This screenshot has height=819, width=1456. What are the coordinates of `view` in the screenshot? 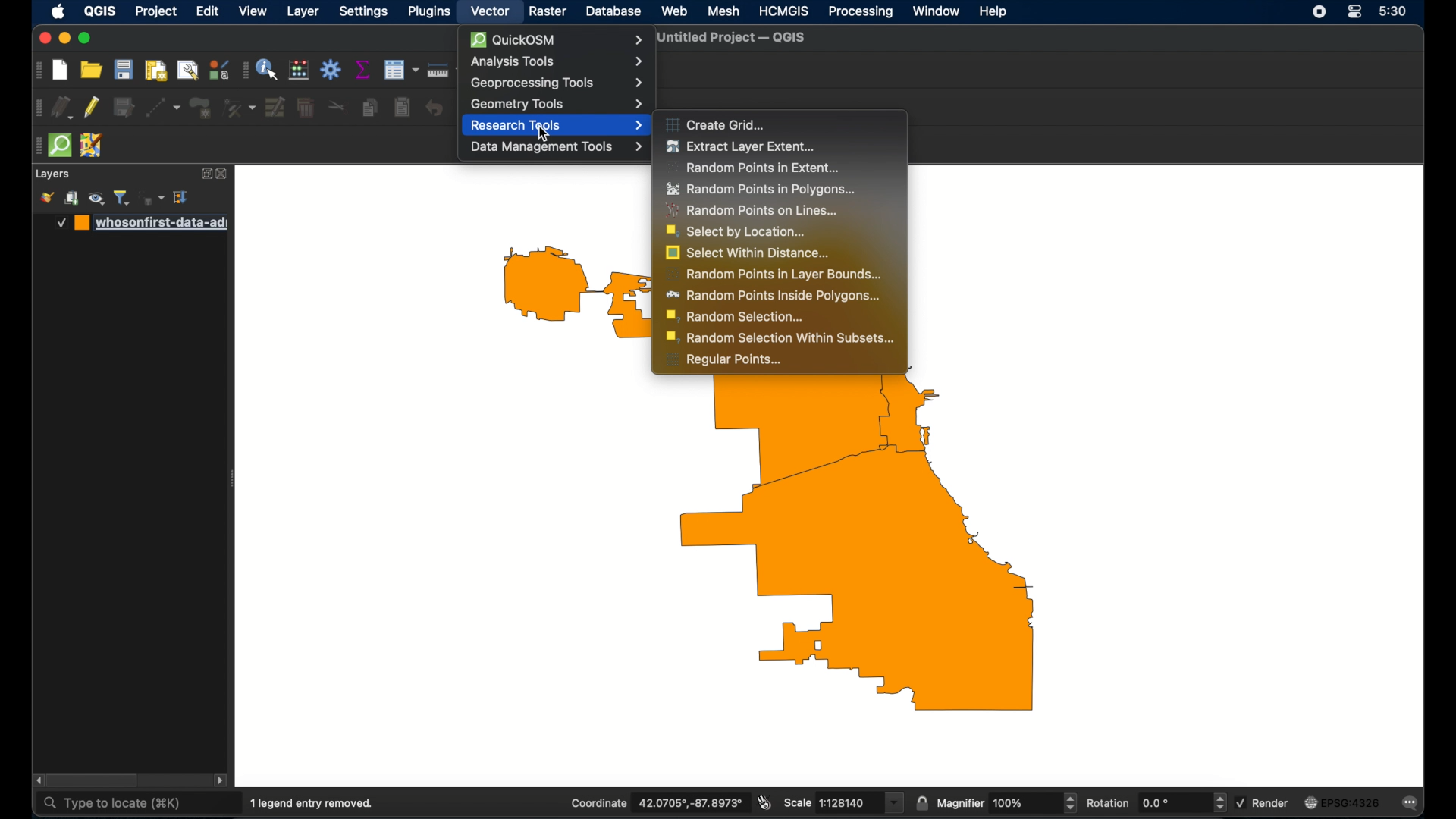 It's located at (254, 11).